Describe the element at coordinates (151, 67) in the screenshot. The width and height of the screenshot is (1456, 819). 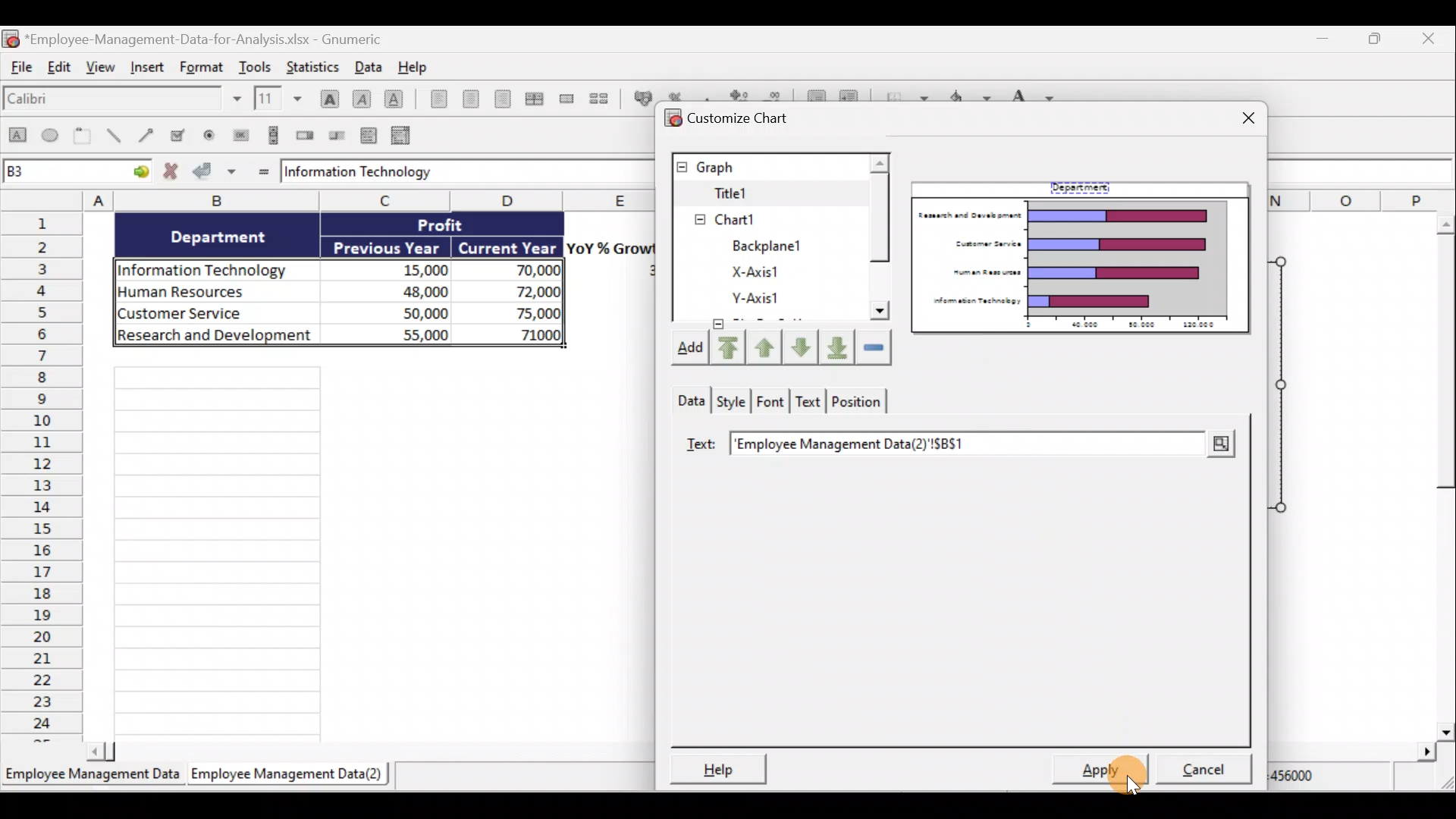
I see `Insert` at that location.